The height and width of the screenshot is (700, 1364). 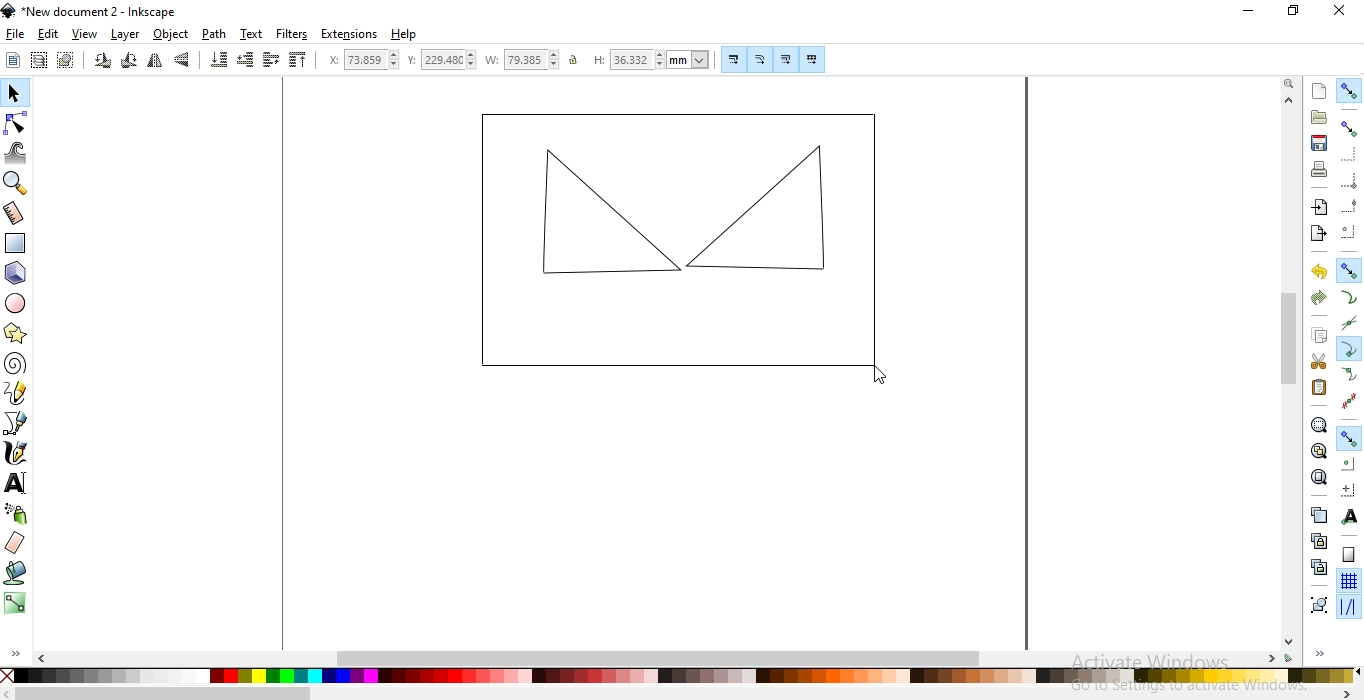 What do you see at coordinates (1252, 12) in the screenshot?
I see `minimize` at bounding box center [1252, 12].